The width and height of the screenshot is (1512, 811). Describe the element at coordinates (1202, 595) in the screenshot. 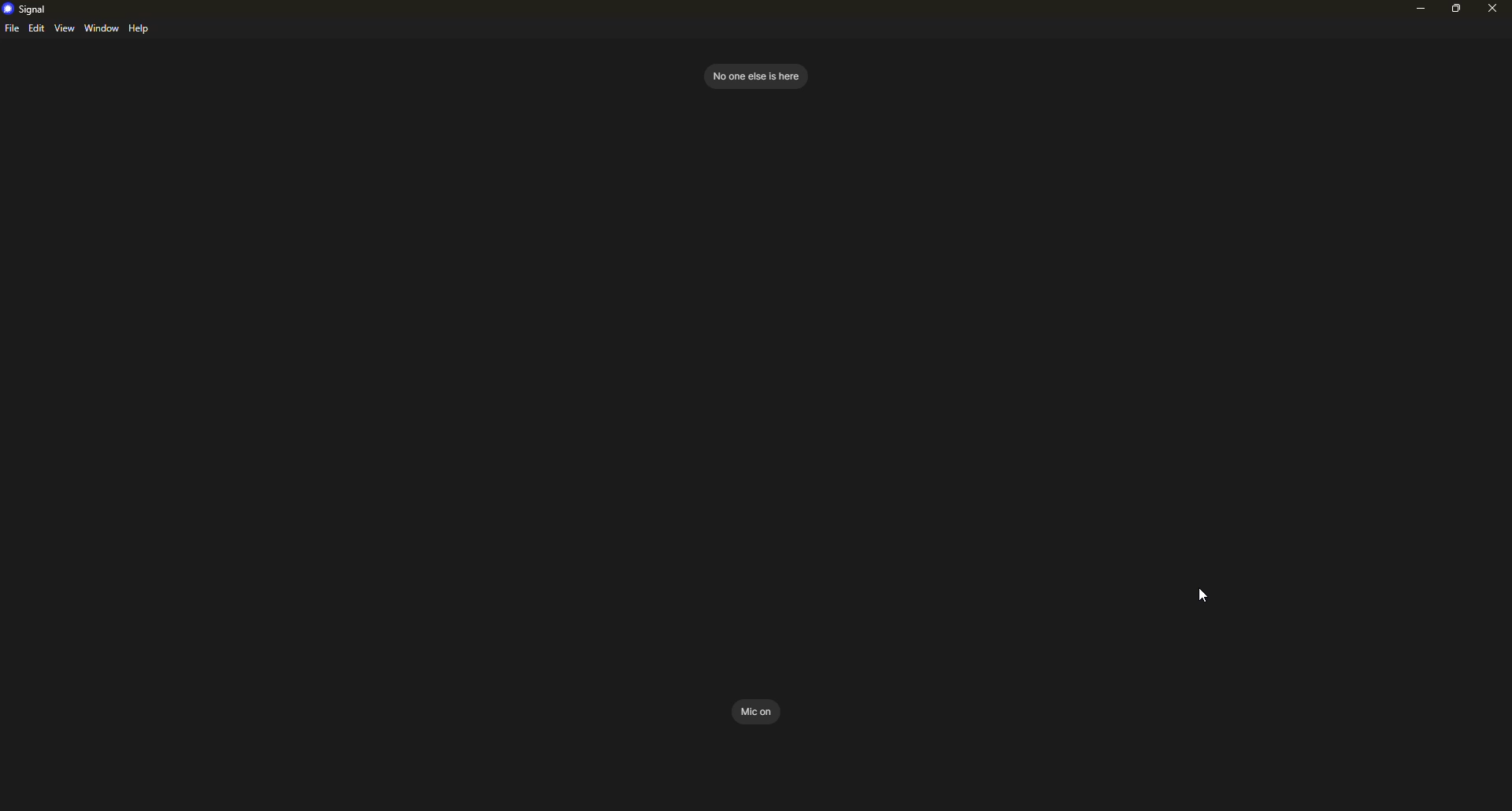

I see `cursor` at that location.